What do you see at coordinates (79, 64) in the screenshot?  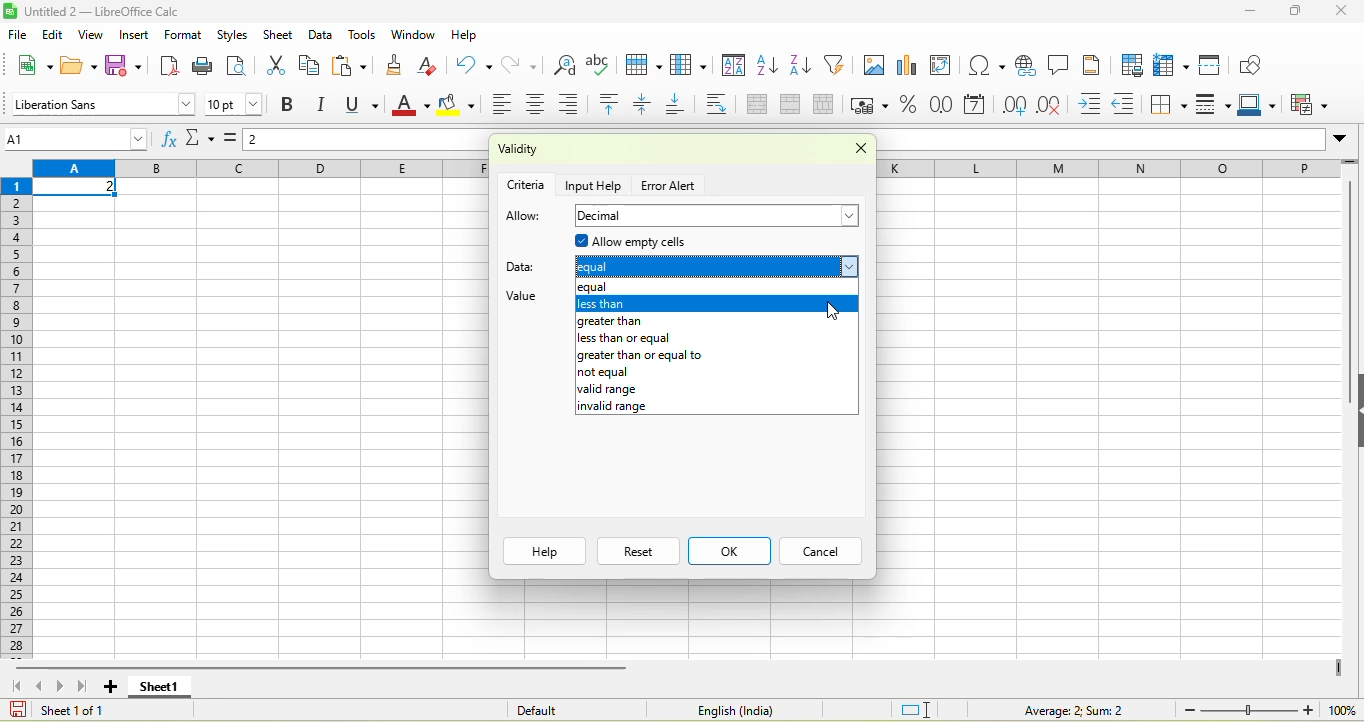 I see `open` at bounding box center [79, 64].